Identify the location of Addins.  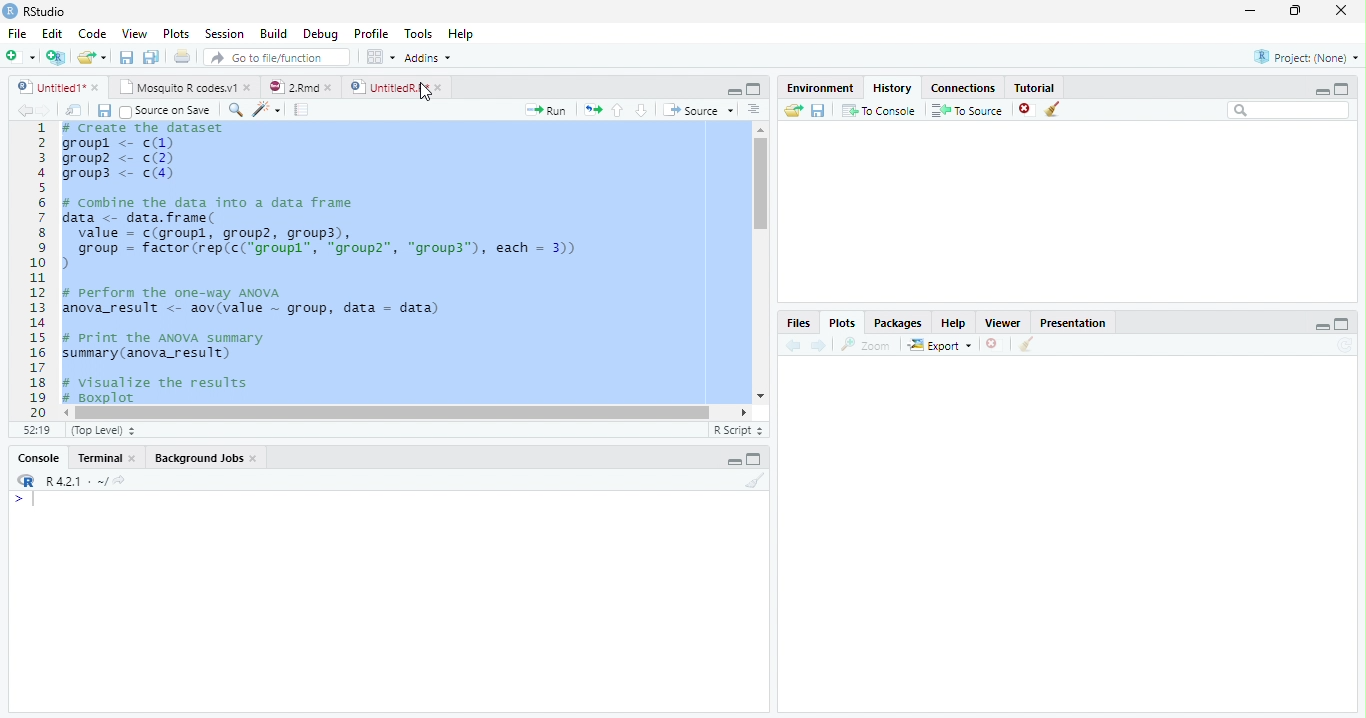
(429, 59).